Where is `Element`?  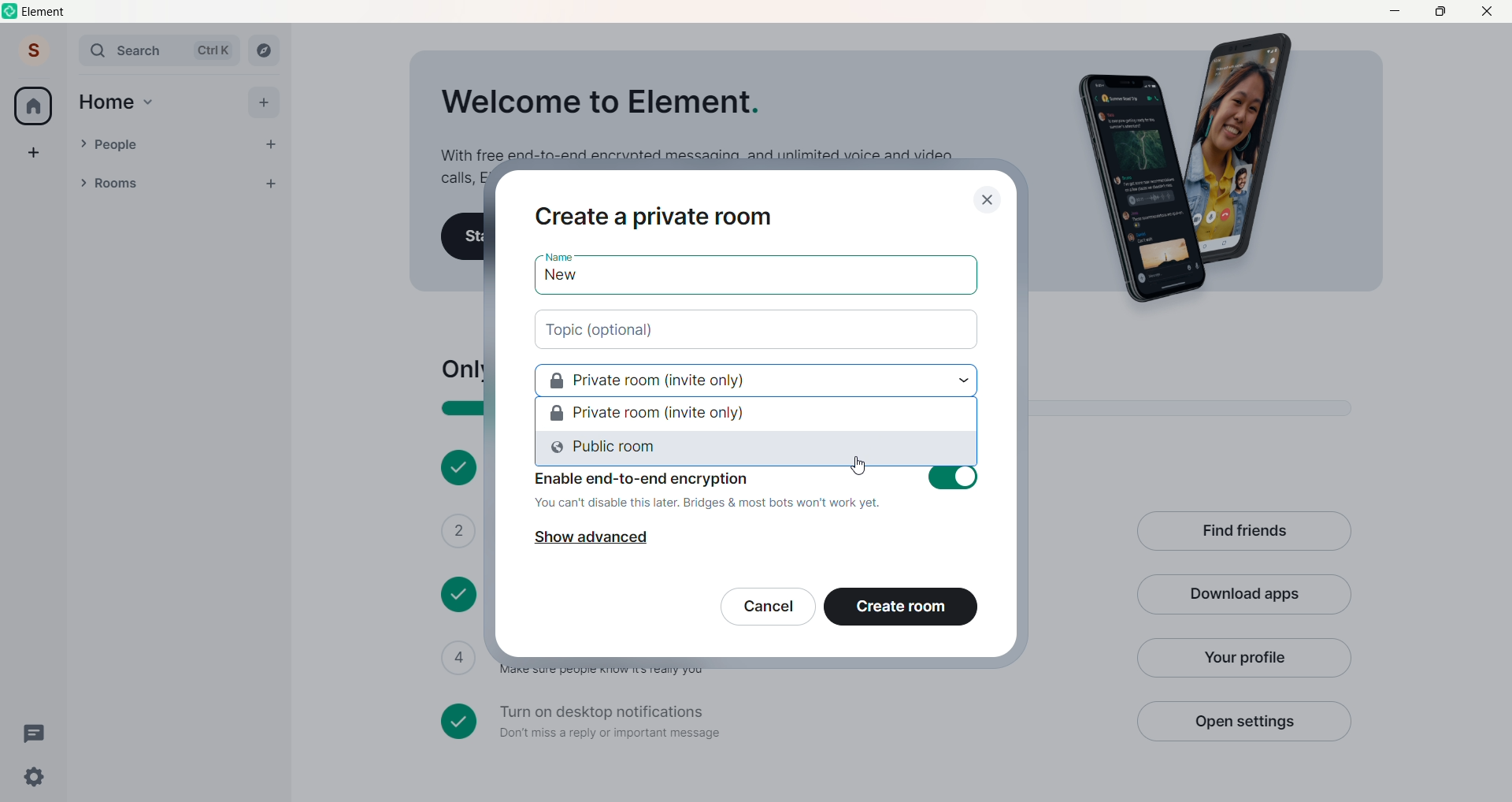 Element is located at coordinates (46, 12).